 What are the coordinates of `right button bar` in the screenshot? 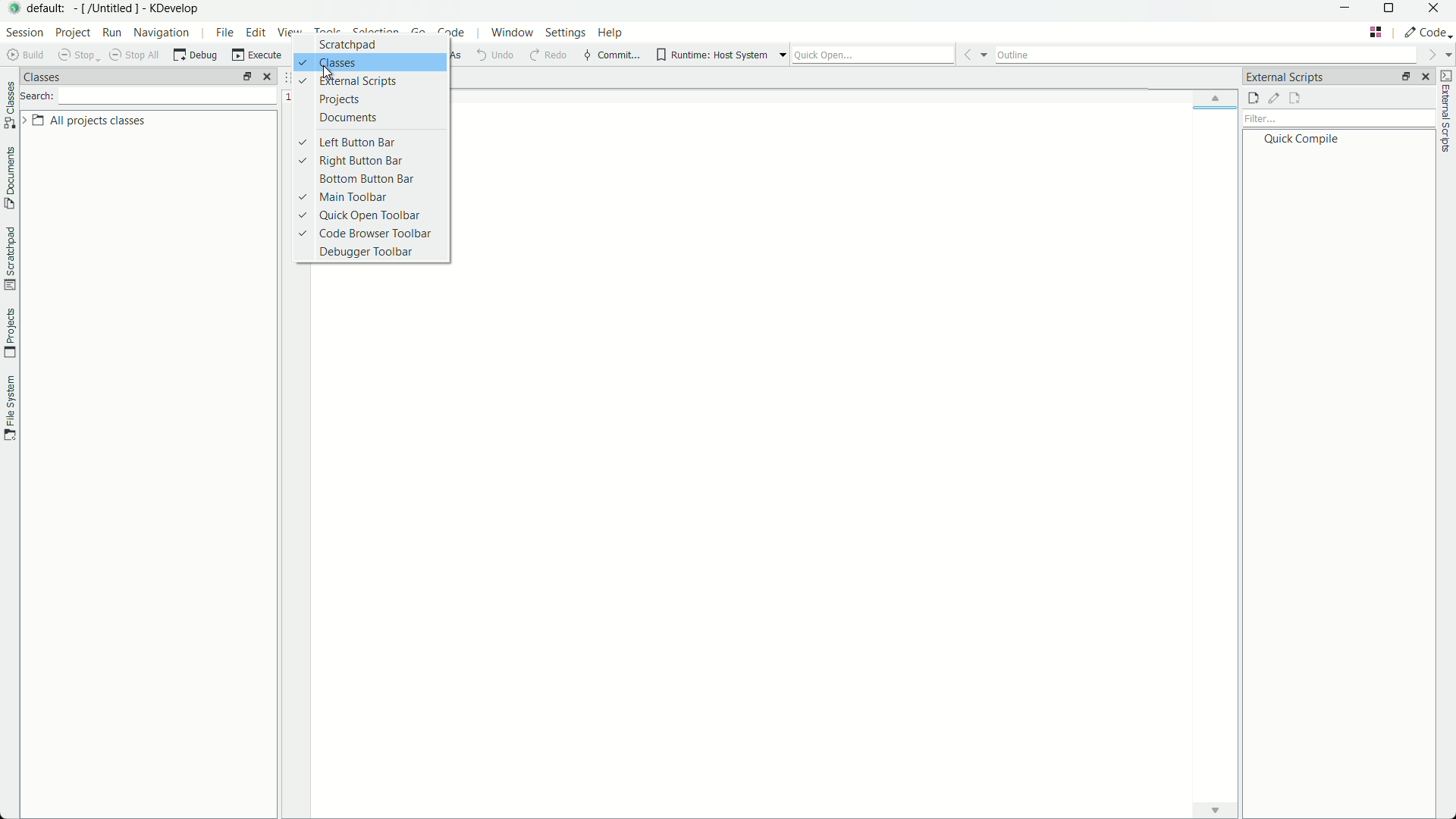 It's located at (365, 161).